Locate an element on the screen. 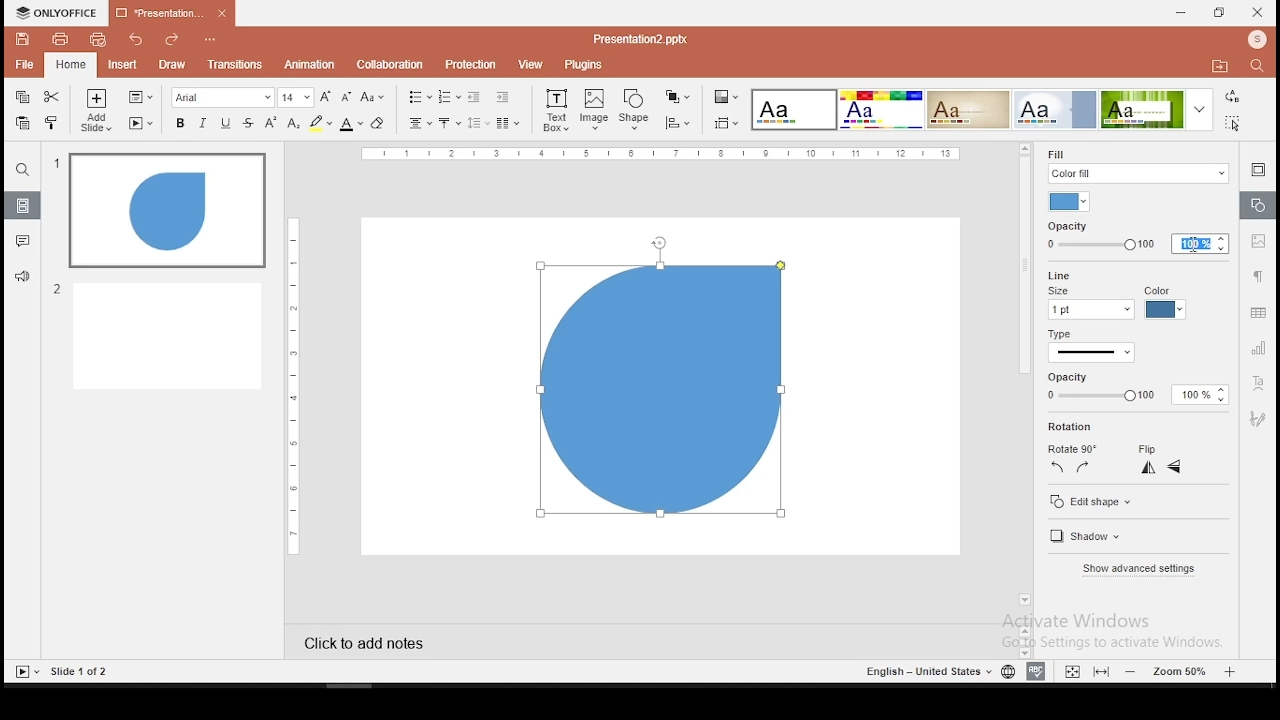 The image size is (1280, 720). image is located at coordinates (595, 110).